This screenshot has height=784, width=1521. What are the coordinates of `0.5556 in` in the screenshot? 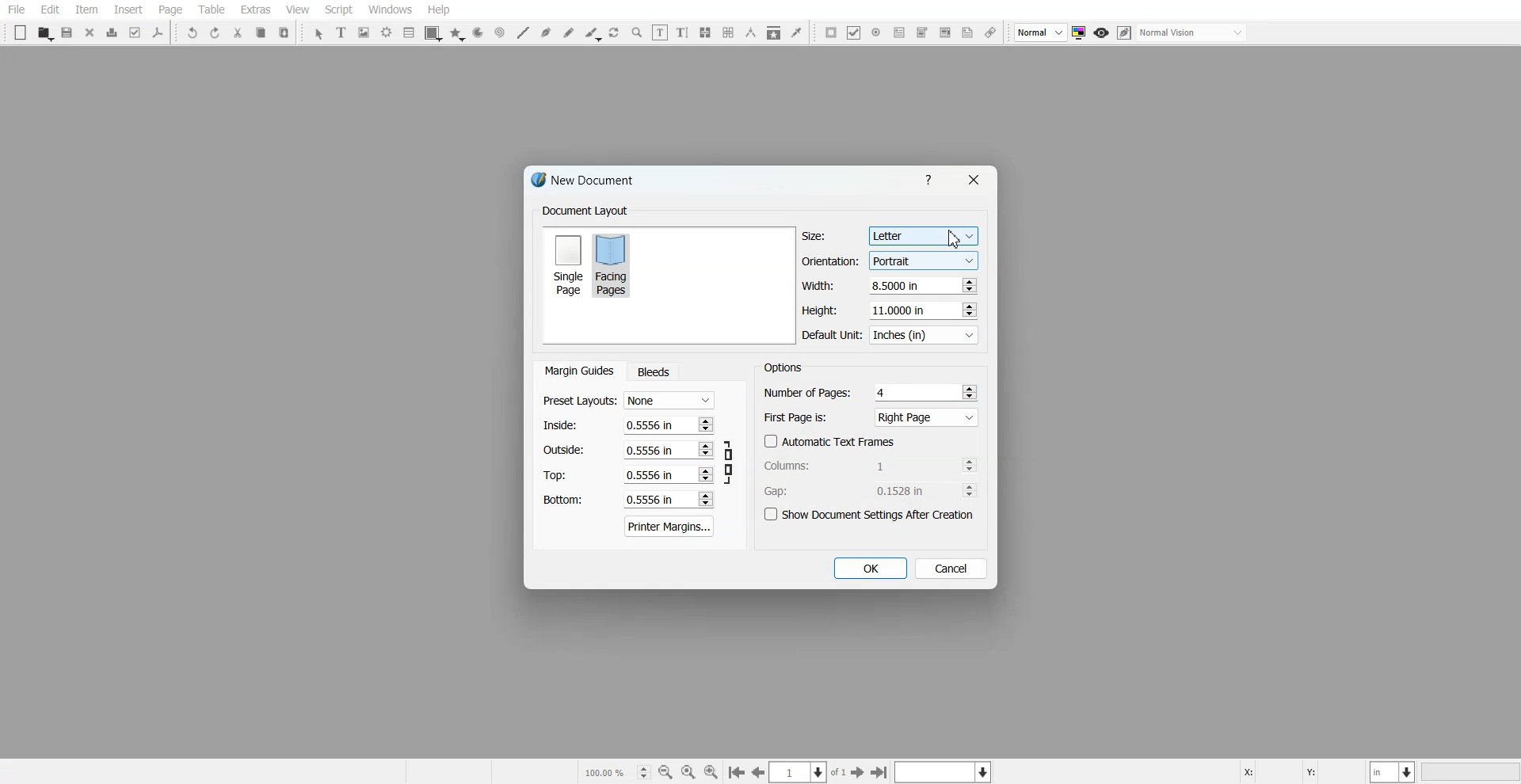 It's located at (650, 500).